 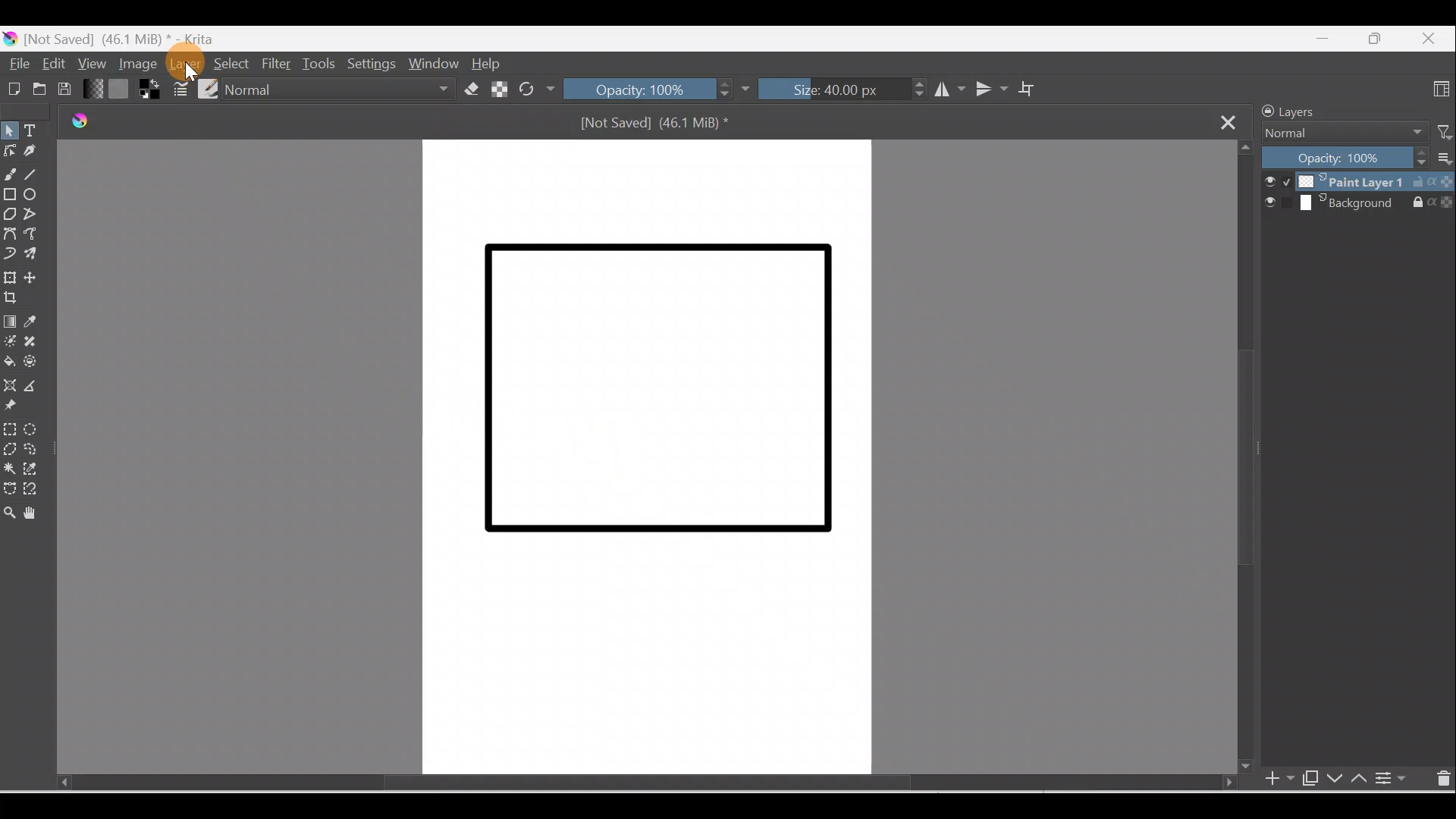 What do you see at coordinates (1441, 89) in the screenshot?
I see `Choose workspace` at bounding box center [1441, 89].